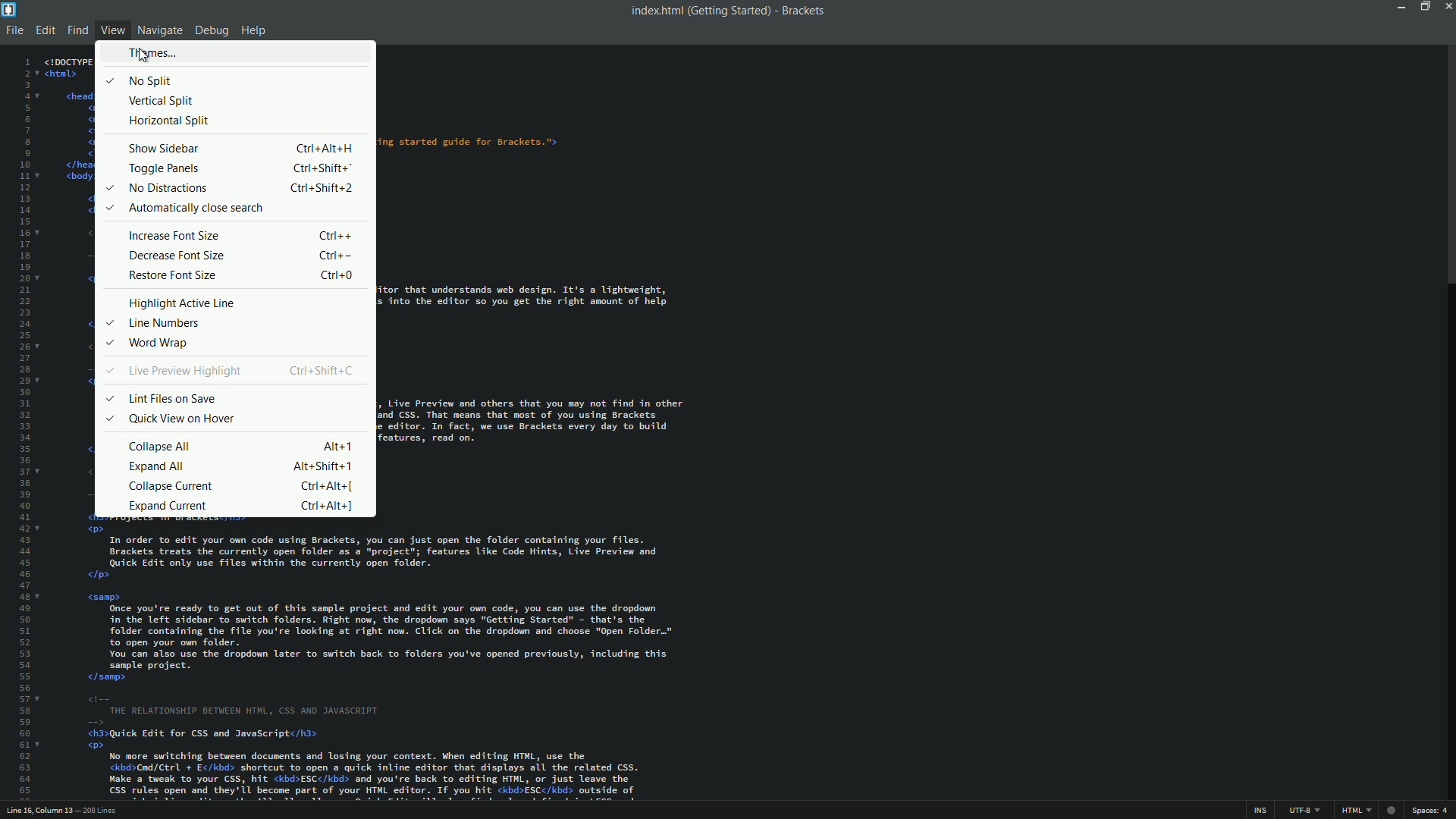  What do you see at coordinates (322, 170) in the screenshot?
I see `keyboard shortcut` at bounding box center [322, 170].